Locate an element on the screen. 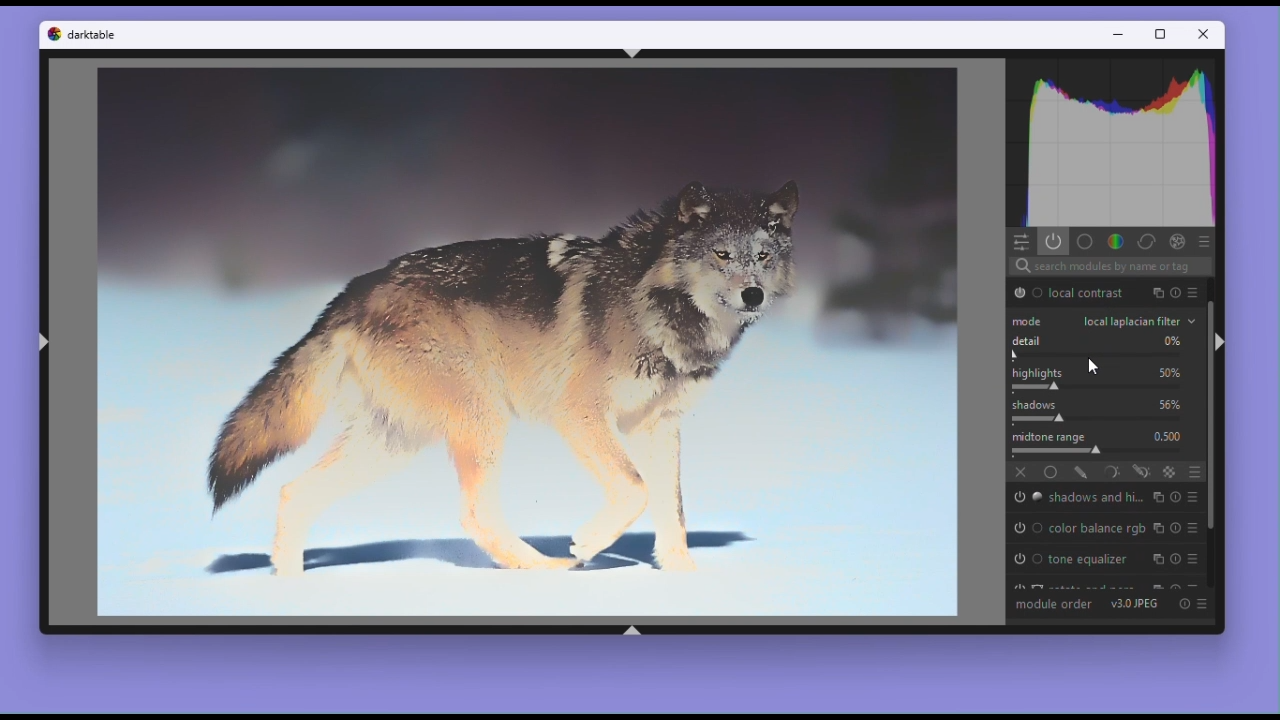  'tone equalizer' is switched off is located at coordinates (1024, 561).